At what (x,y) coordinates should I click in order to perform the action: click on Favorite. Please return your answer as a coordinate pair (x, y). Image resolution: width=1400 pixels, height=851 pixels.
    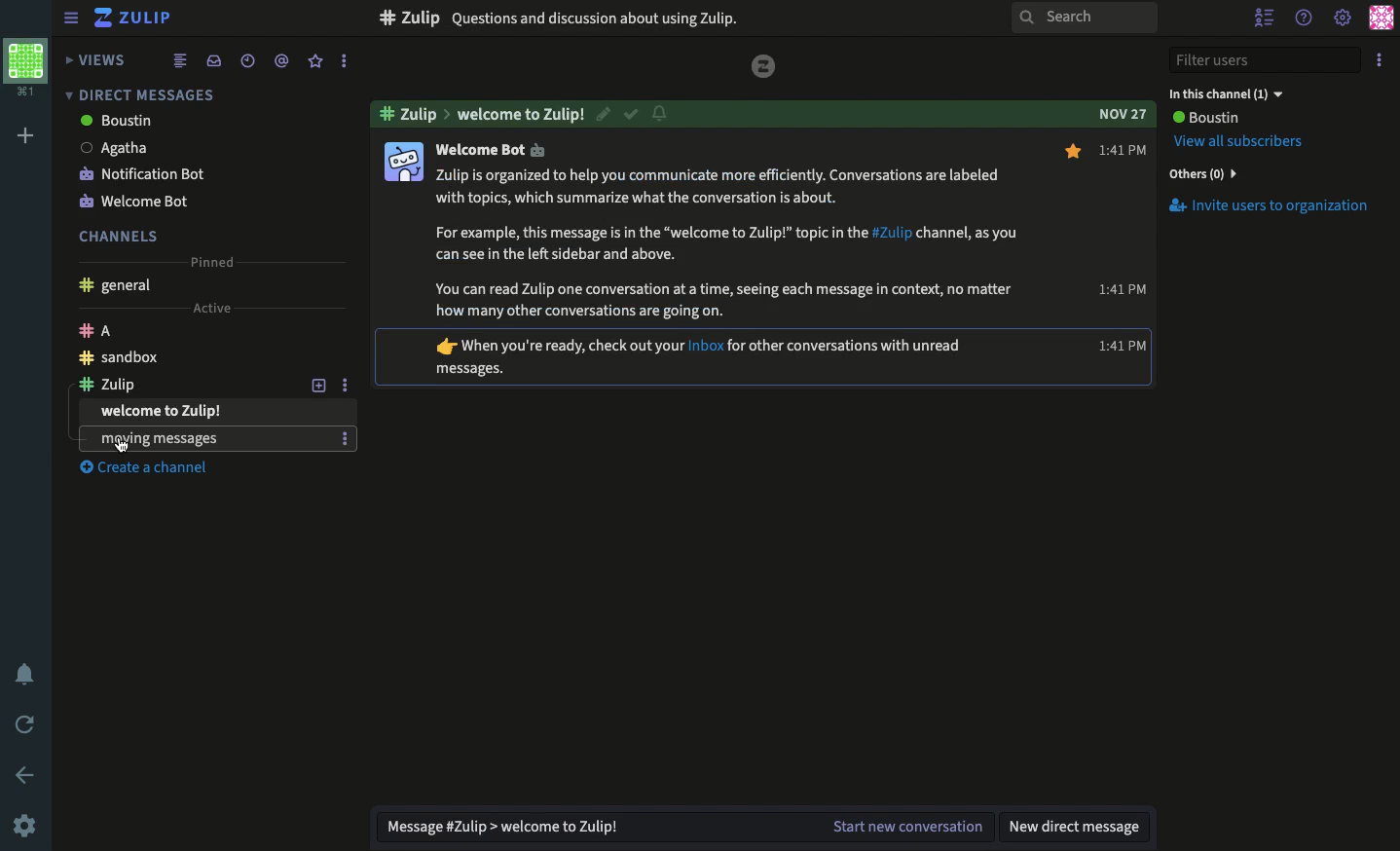
    Looking at the image, I should click on (1075, 152).